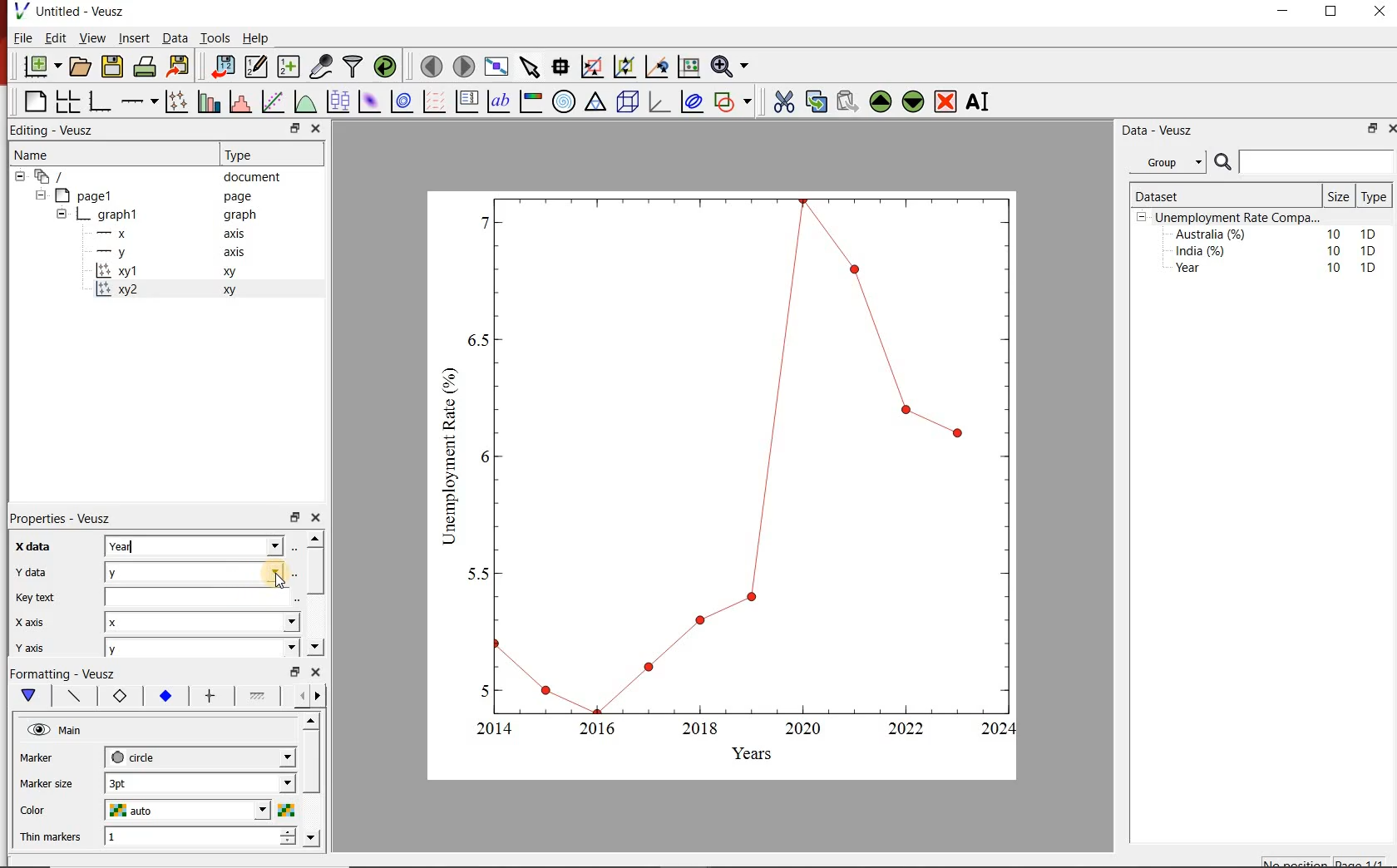  I want to click on blank page, so click(34, 100).